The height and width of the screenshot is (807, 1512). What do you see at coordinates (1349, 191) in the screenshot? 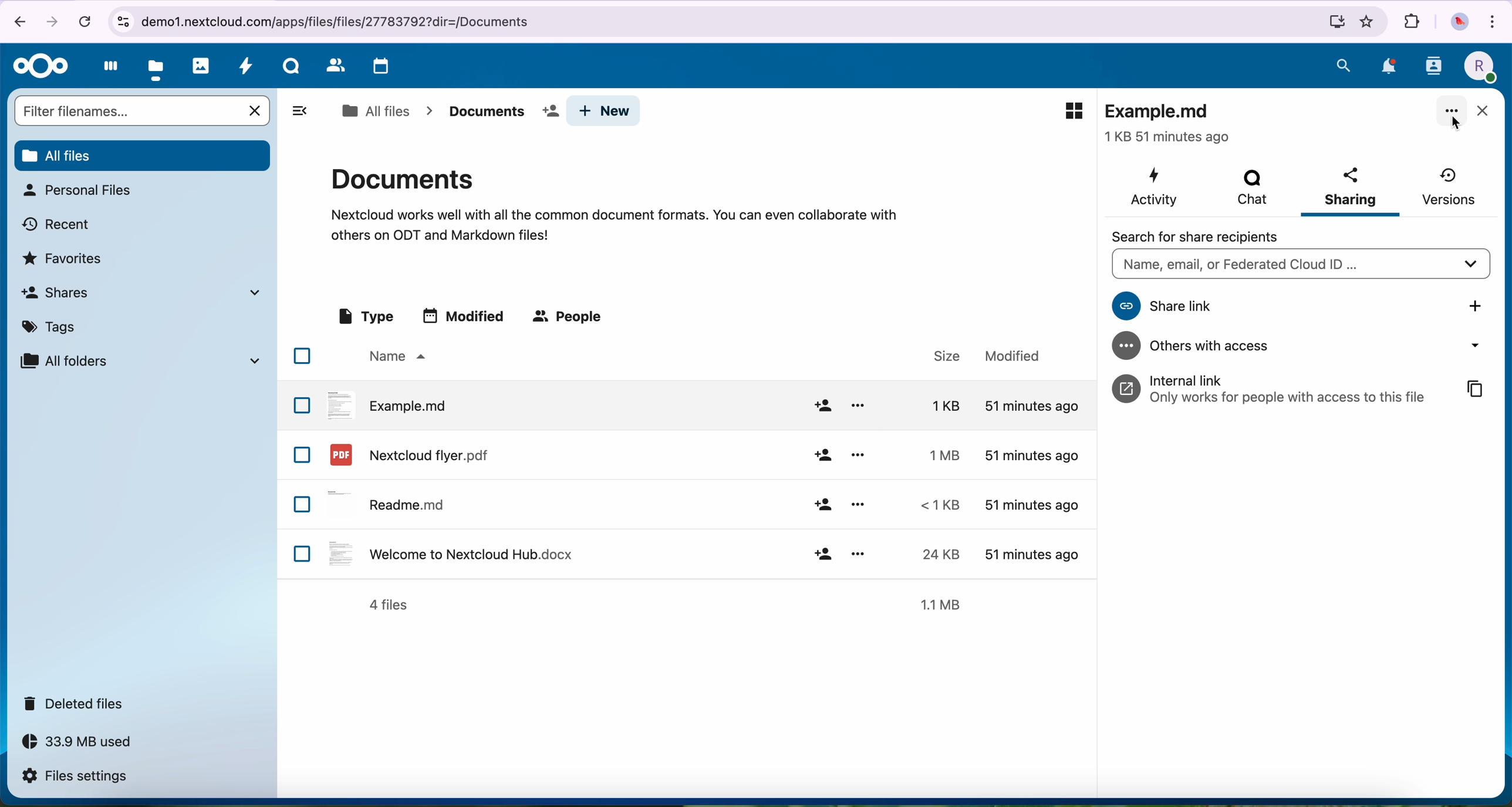
I see `sharing` at bounding box center [1349, 191].